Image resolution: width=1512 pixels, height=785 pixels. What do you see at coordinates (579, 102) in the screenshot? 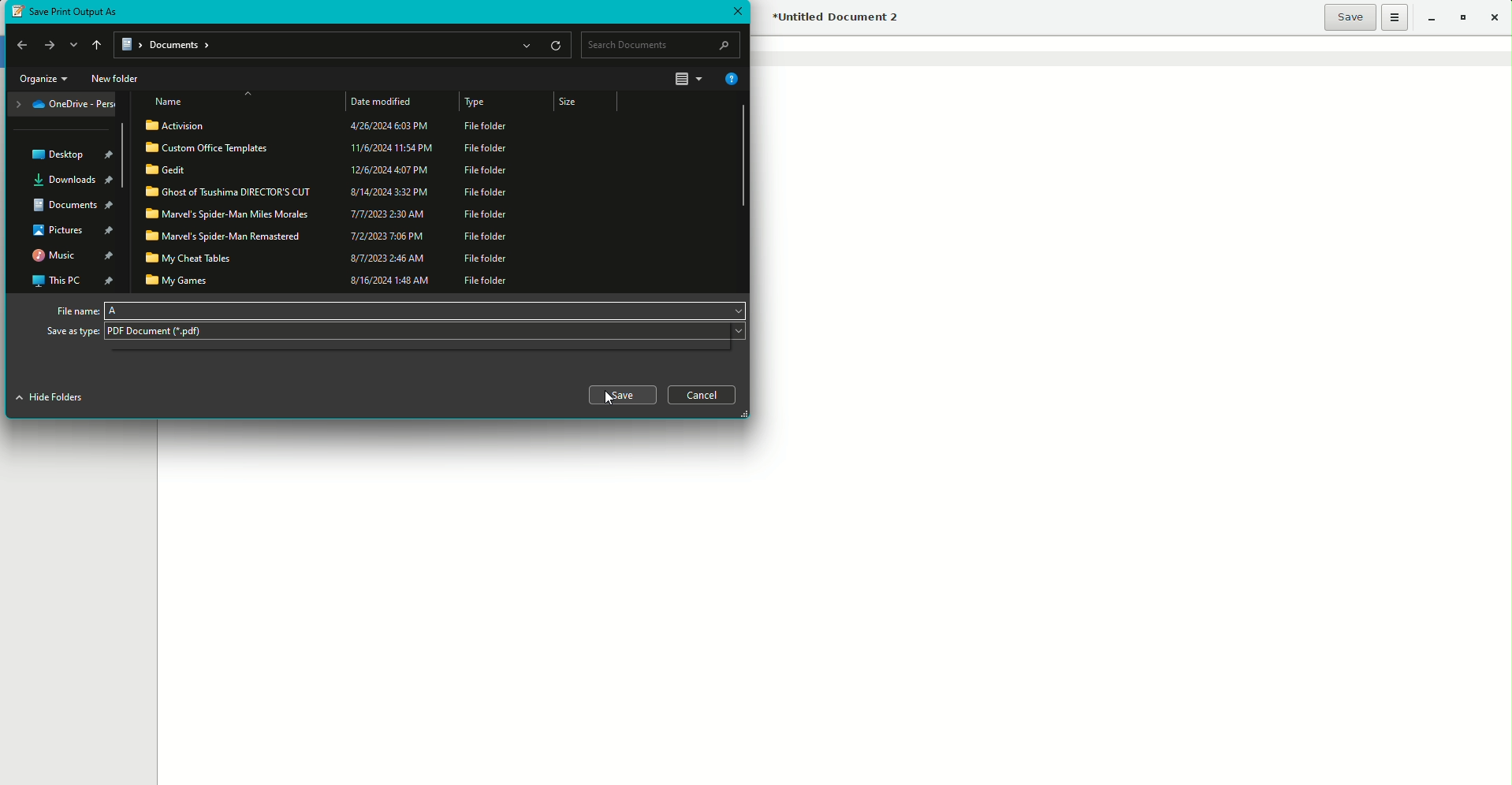
I see `Size` at bounding box center [579, 102].